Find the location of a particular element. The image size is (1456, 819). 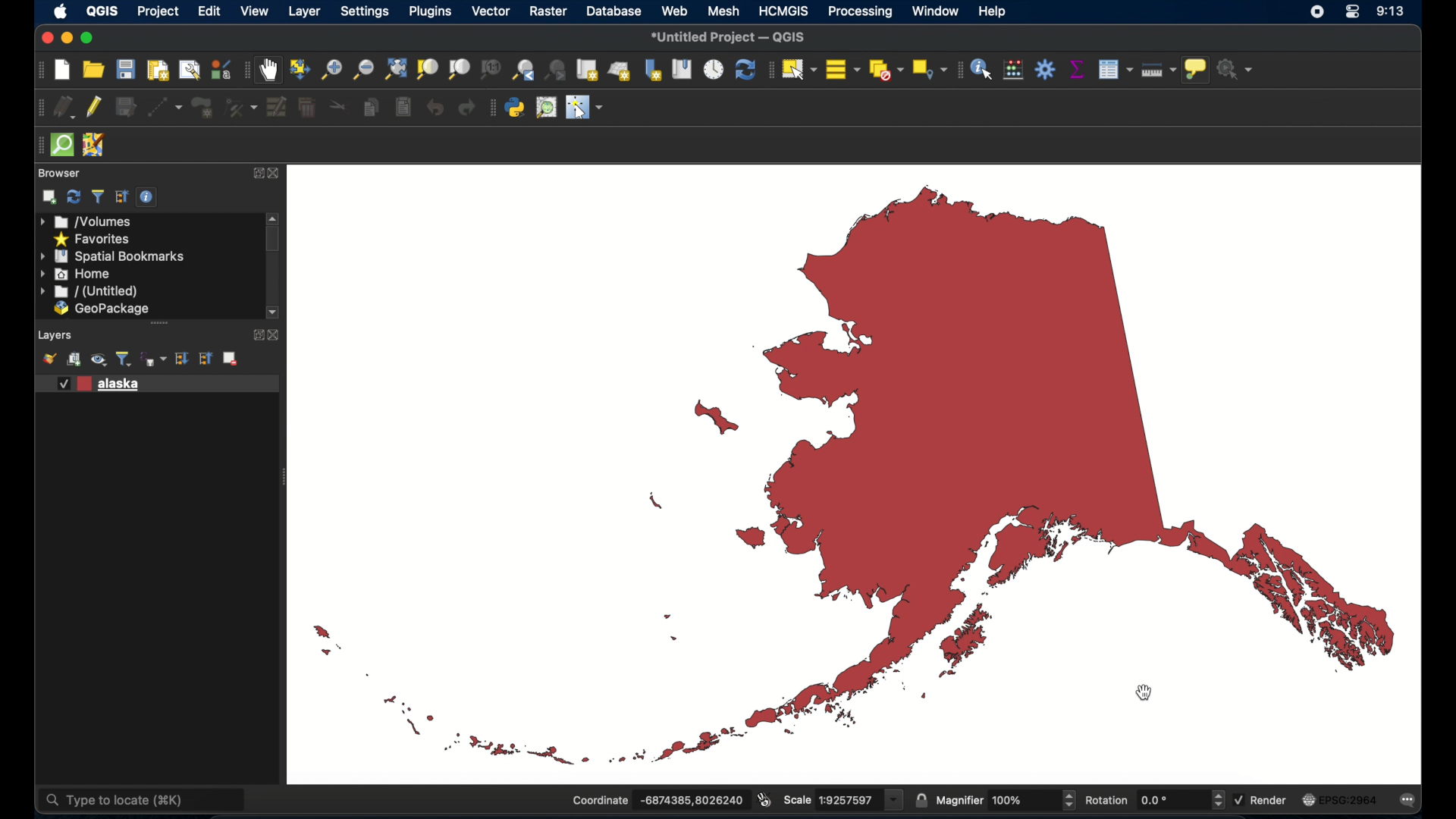

digitize with segment is located at coordinates (166, 106).